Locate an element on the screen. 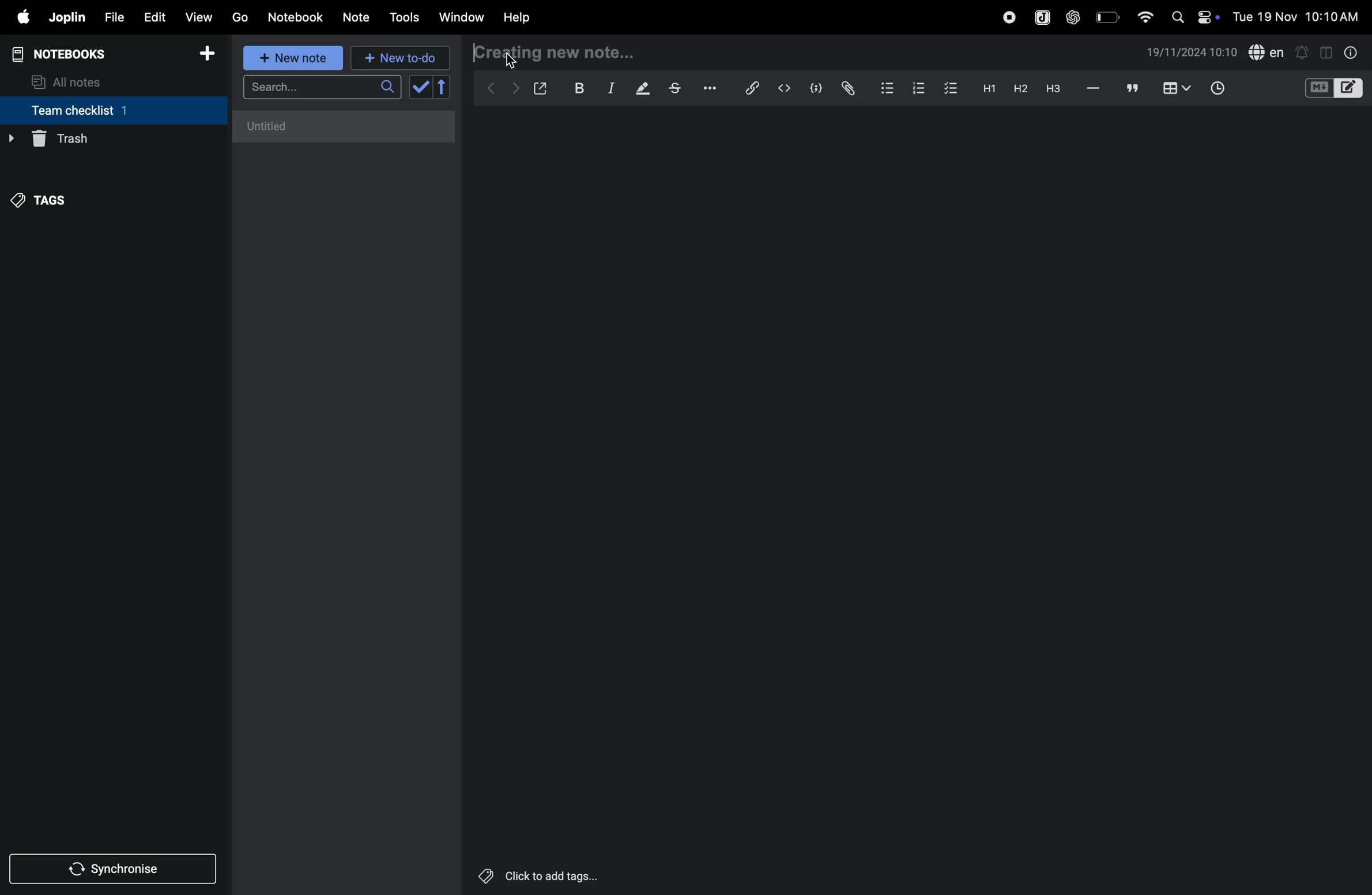 Image resolution: width=1372 pixels, height=895 pixels. heading 2 is located at coordinates (1017, 88).